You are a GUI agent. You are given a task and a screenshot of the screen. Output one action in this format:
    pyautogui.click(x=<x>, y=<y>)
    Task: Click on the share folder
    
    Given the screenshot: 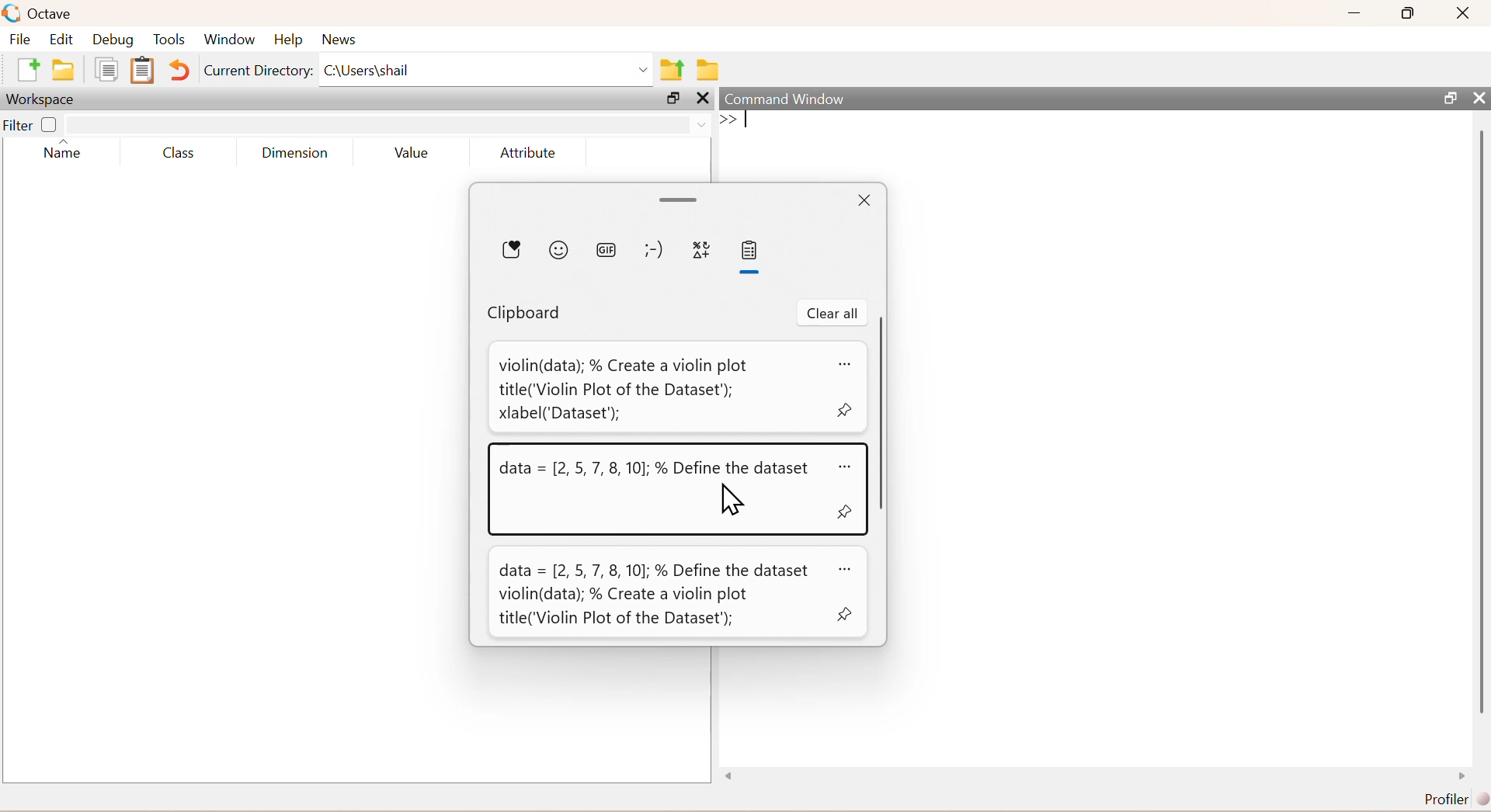 What is the action you would take?
    pyautogui.click(x=673, y=70)
    